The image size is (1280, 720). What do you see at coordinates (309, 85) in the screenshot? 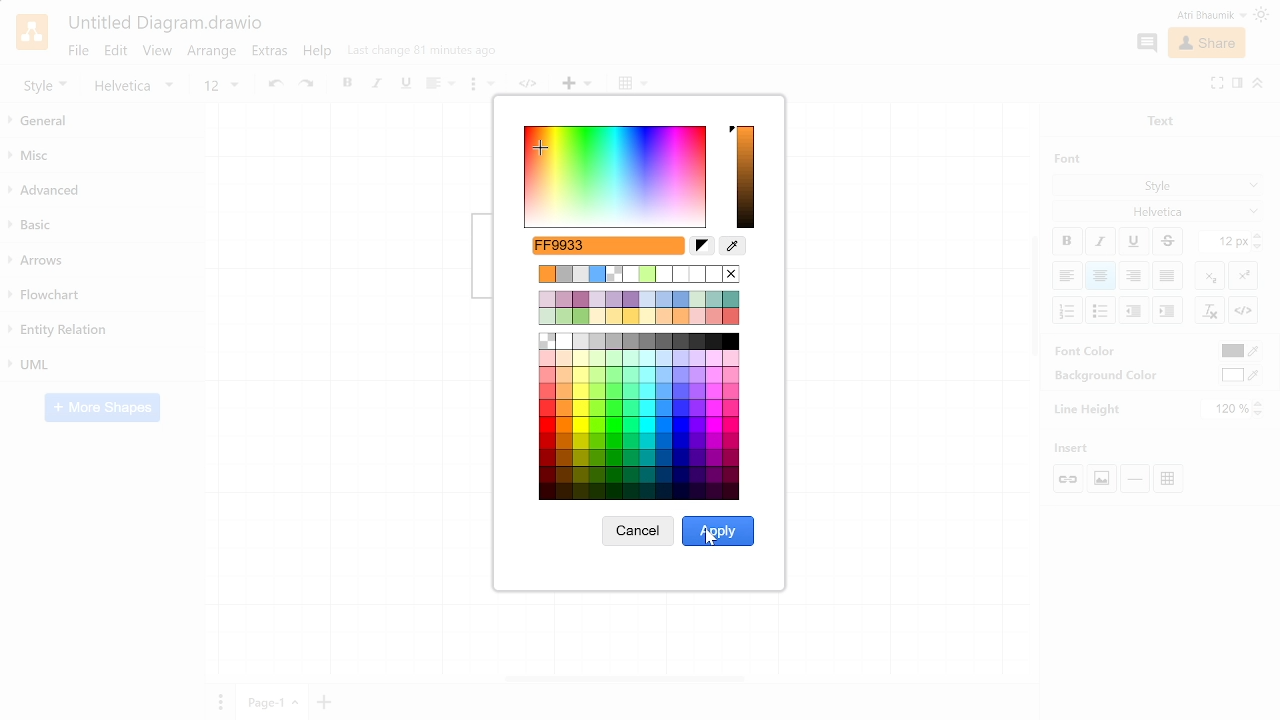
I see `redo` at bounding box center [309, 85].